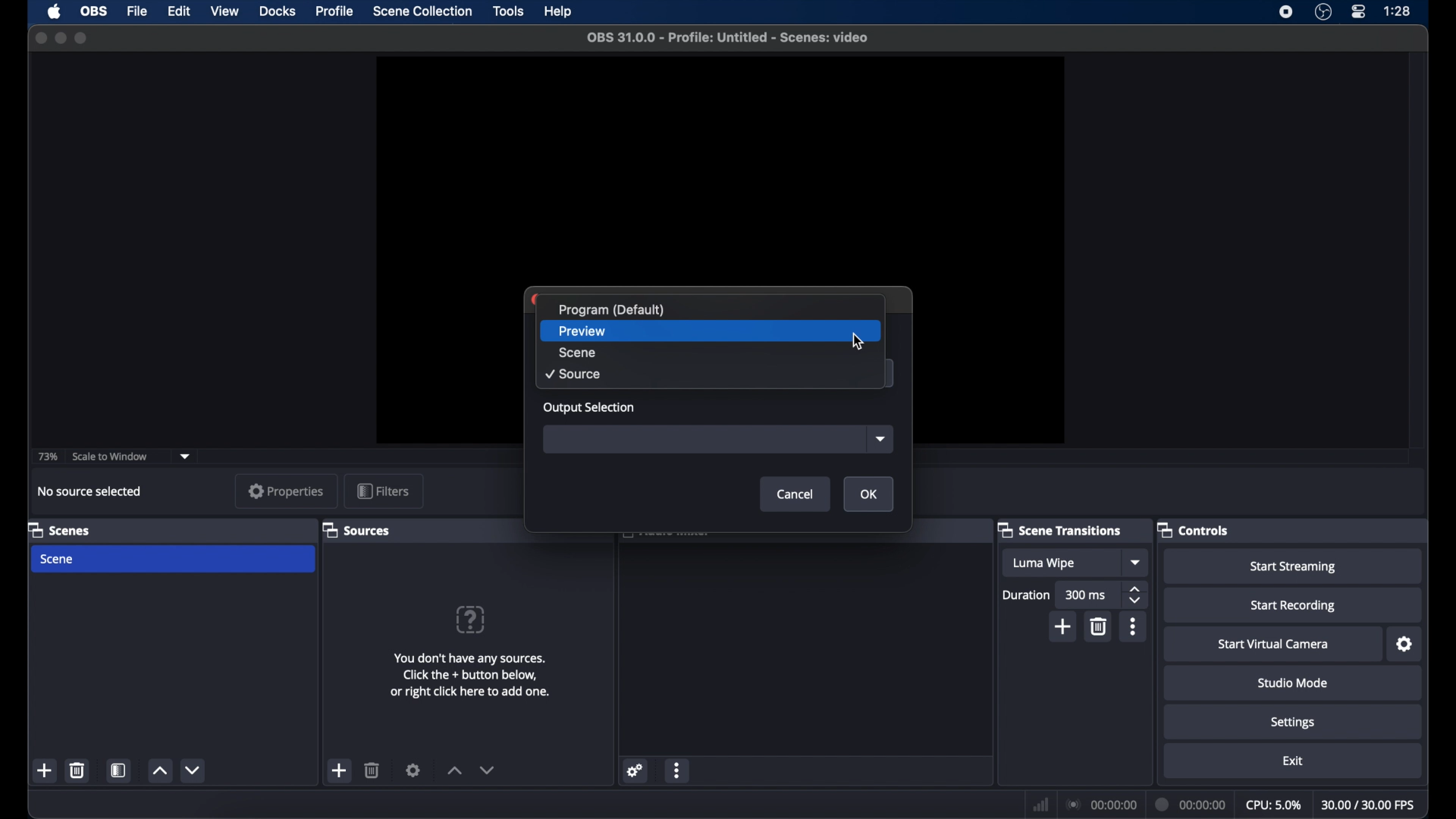  I want to click on docks, so click(278, 12).